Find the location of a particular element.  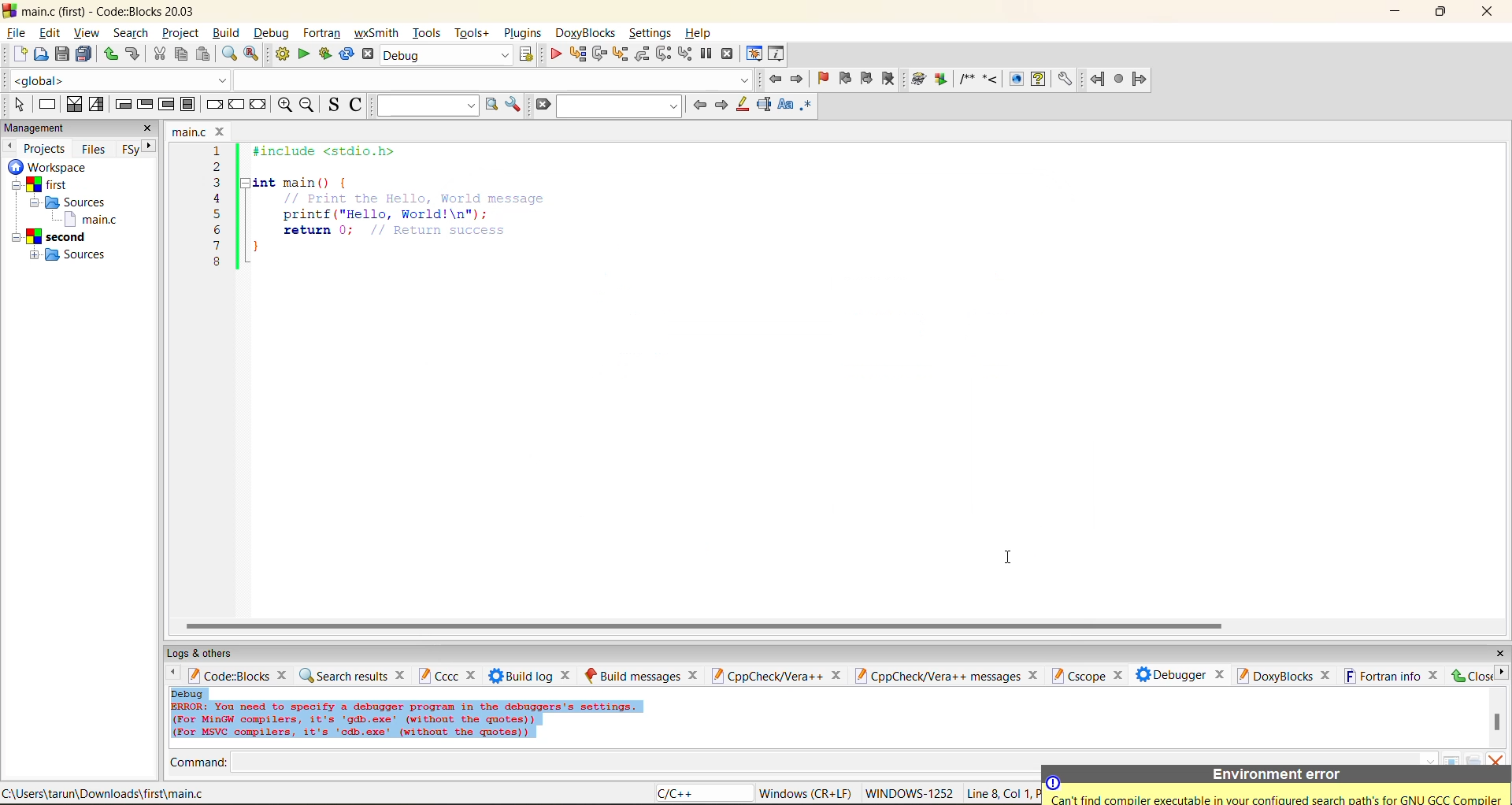

next bookmark is located at coordinates (868, 76).